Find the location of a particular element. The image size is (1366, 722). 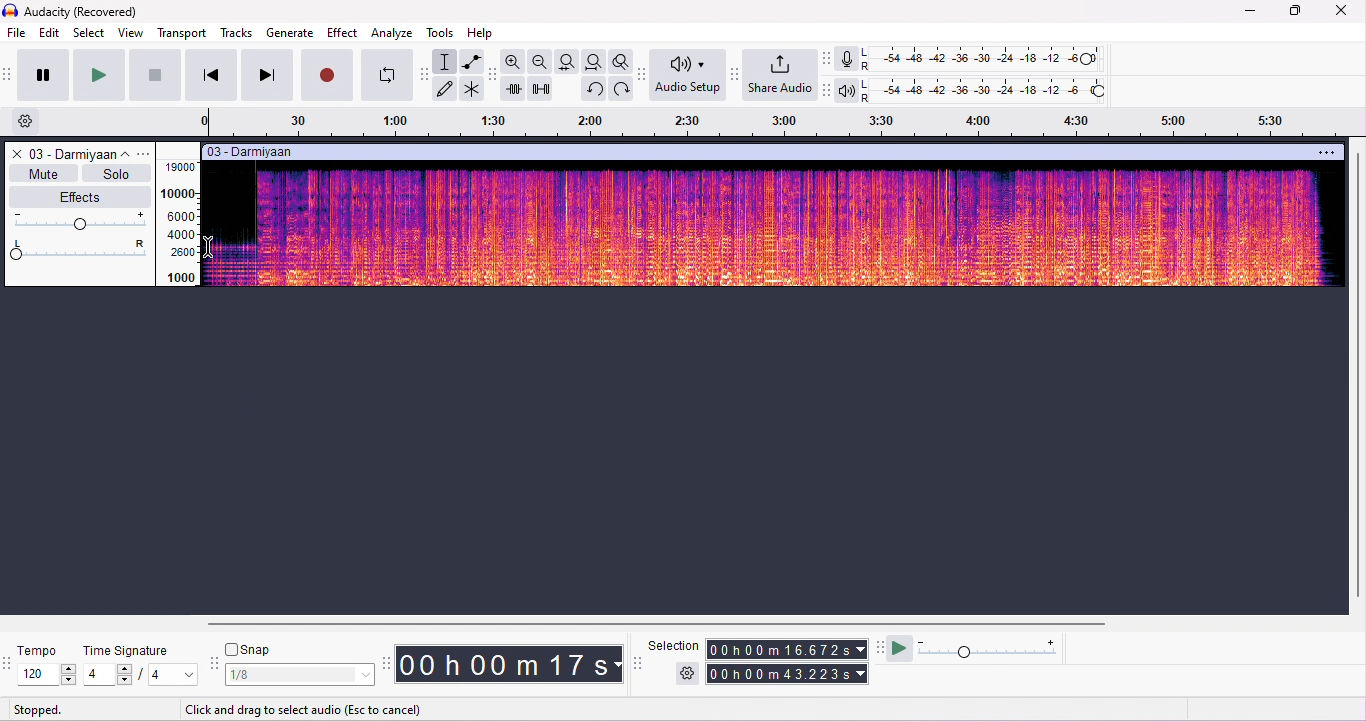

pause is located at coordinates (45, 74).